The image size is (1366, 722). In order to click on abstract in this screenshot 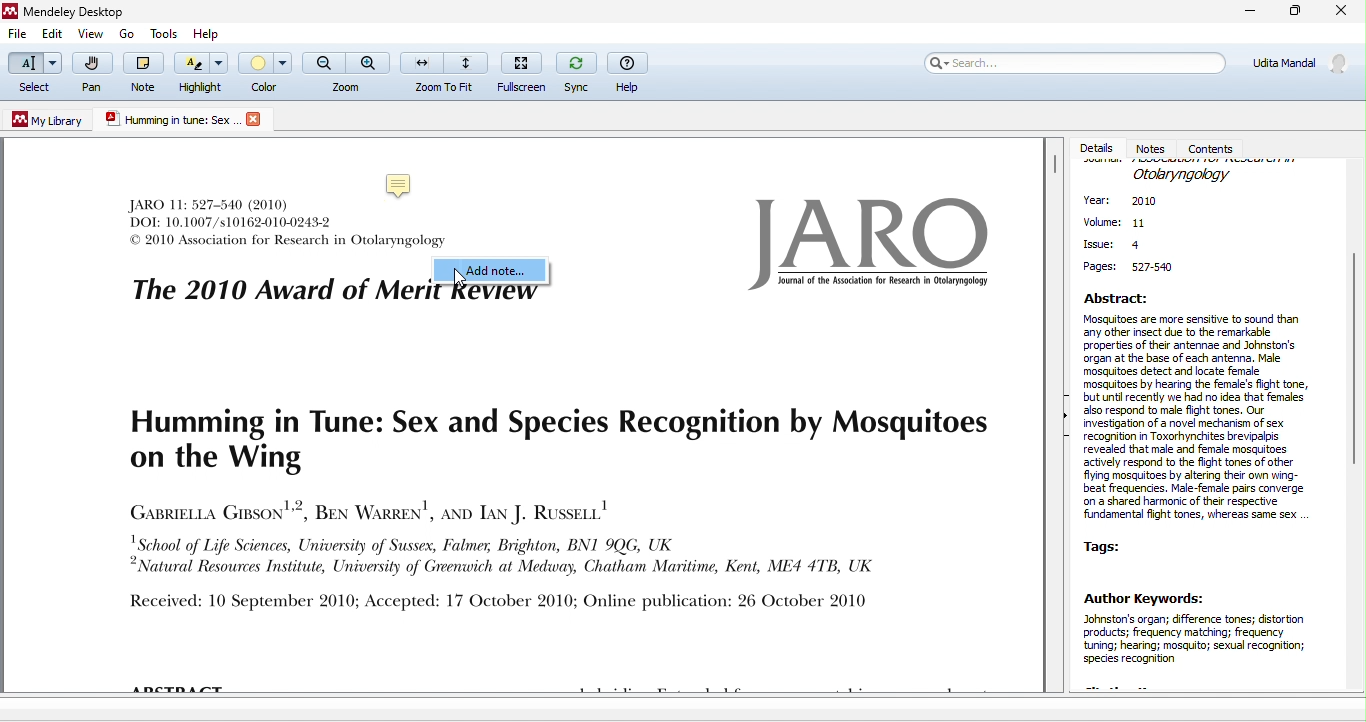, I will do `click(1201, 408)`.